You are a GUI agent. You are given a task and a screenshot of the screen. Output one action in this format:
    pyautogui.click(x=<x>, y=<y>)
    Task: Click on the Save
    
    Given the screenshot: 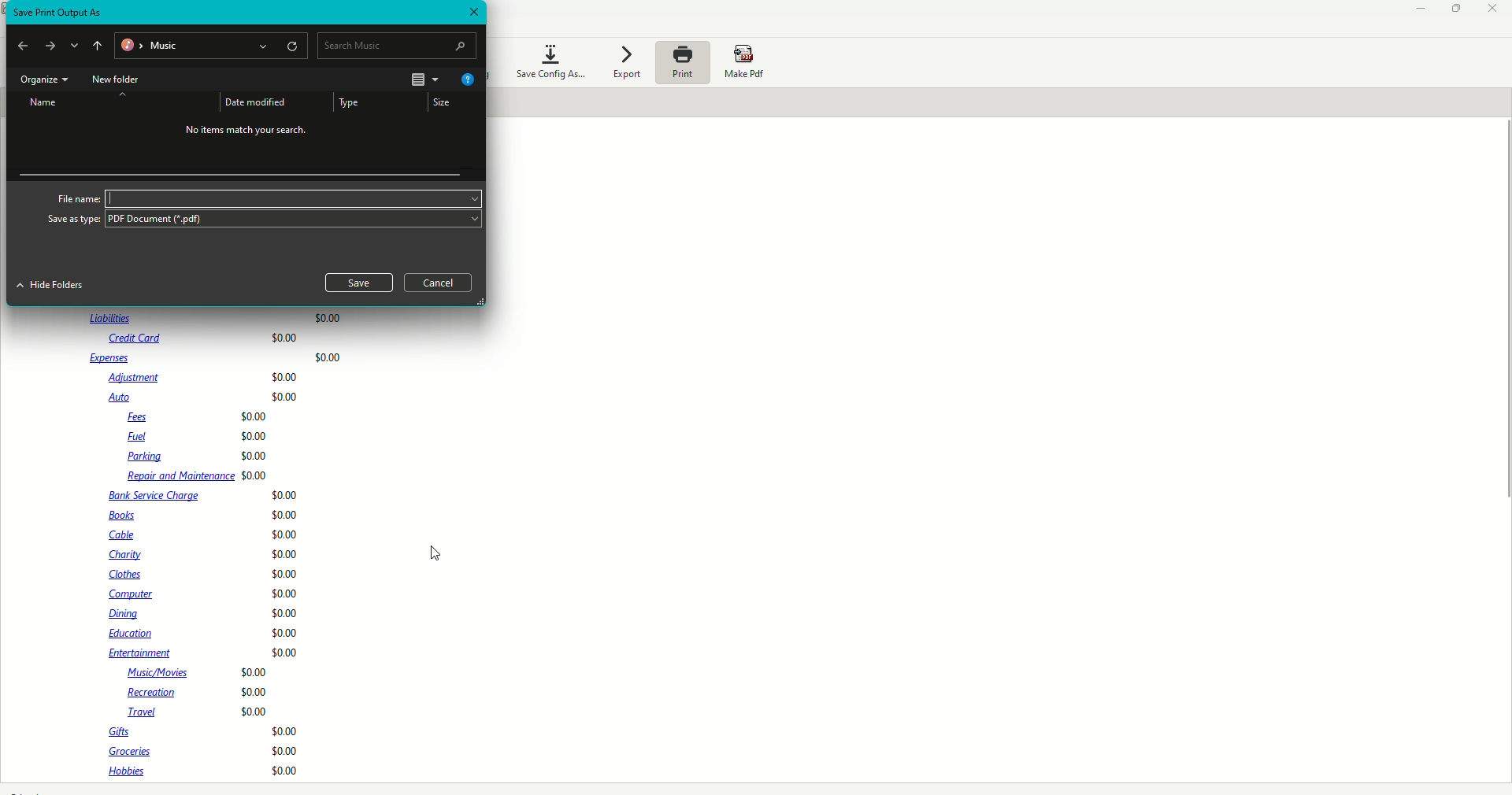 What is the action you would take?
    pyautogui.click(x=360, y=282)
    